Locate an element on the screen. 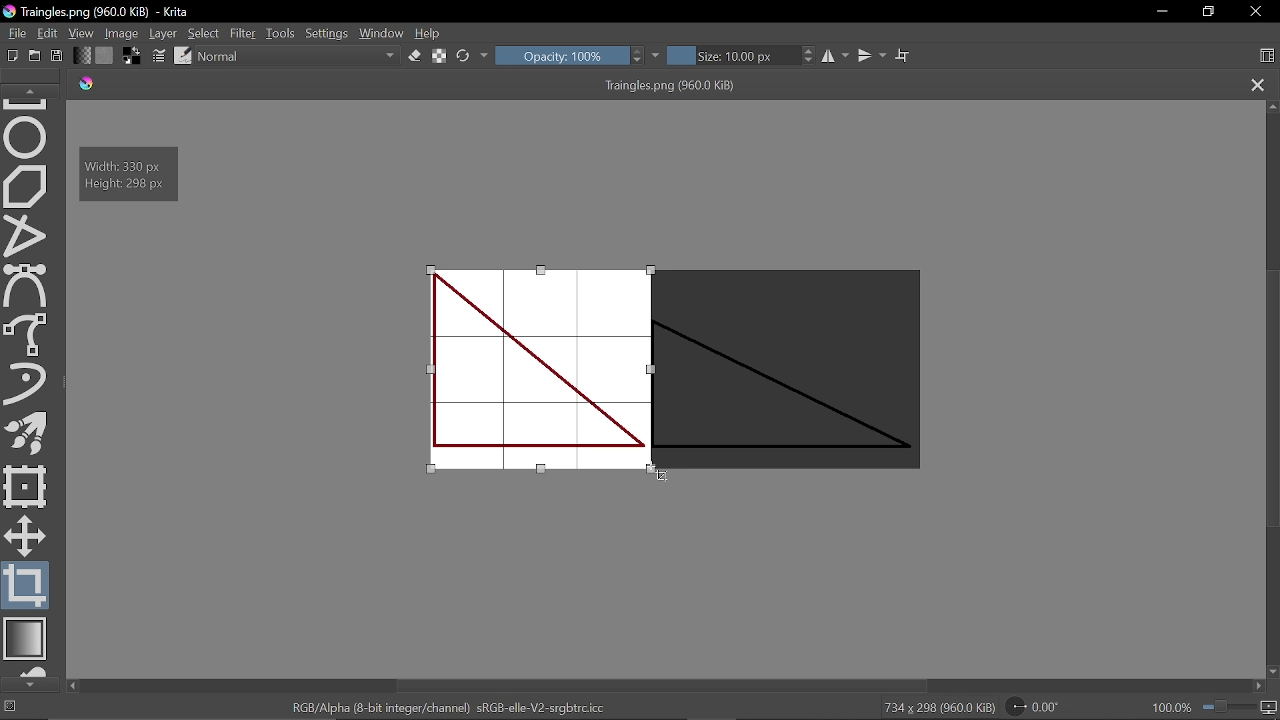 This screenshot has height=720, width=1280. 100.0& is located at coordinates (1216, 705).